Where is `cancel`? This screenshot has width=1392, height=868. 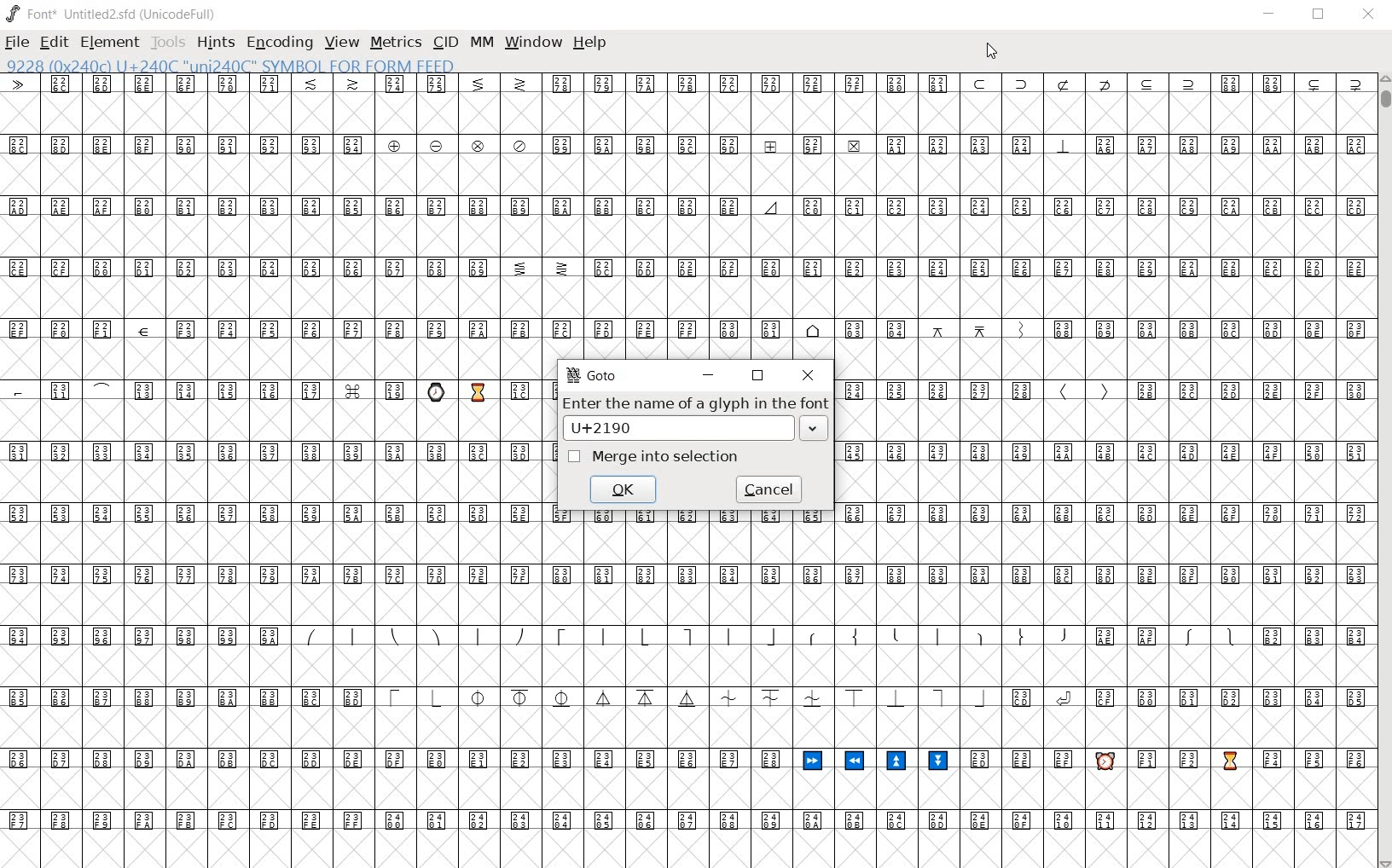
cancel is located at coordinates (770, 489).